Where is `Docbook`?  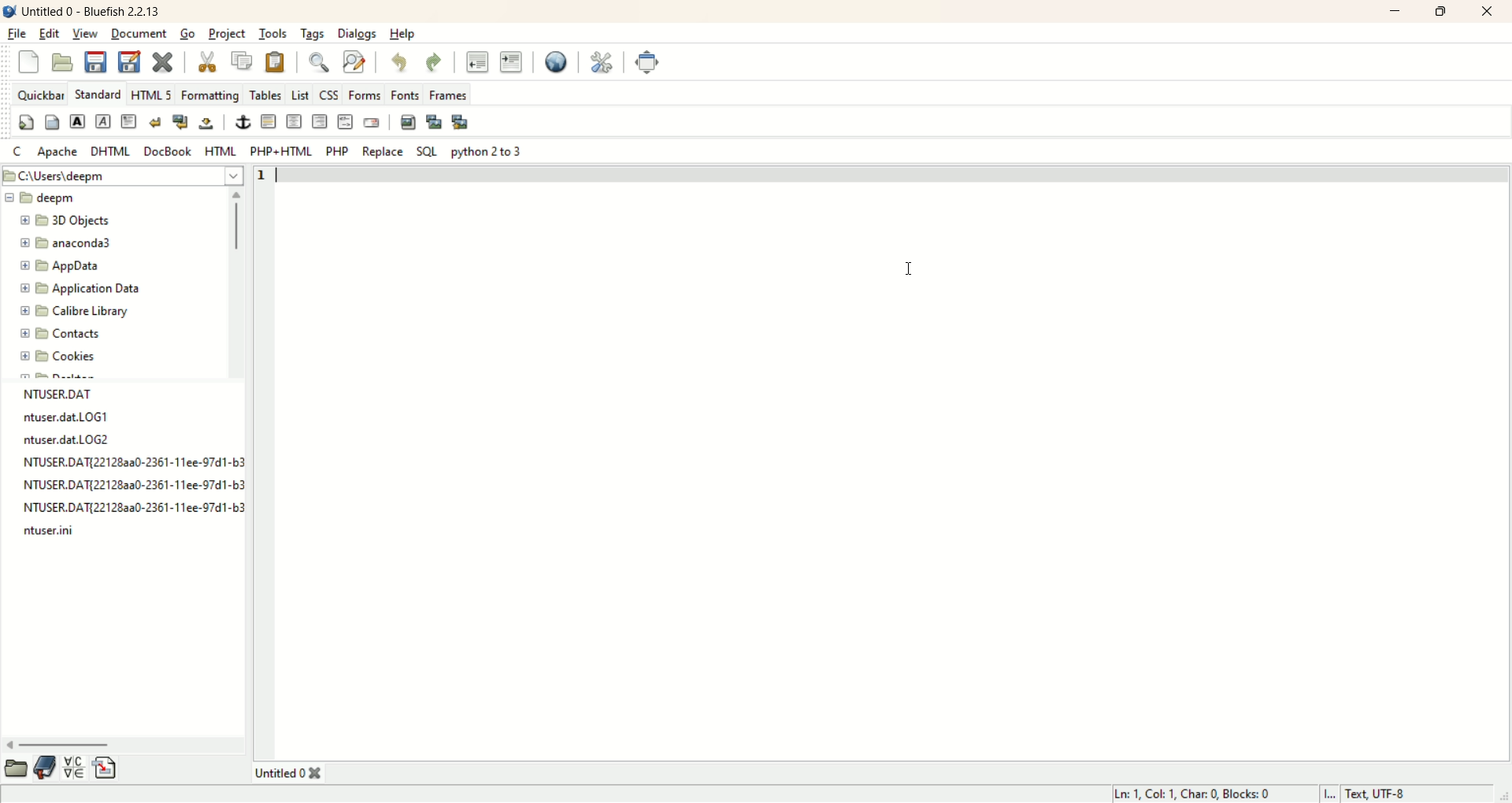
Docbook is located at coordinates (171, 153).